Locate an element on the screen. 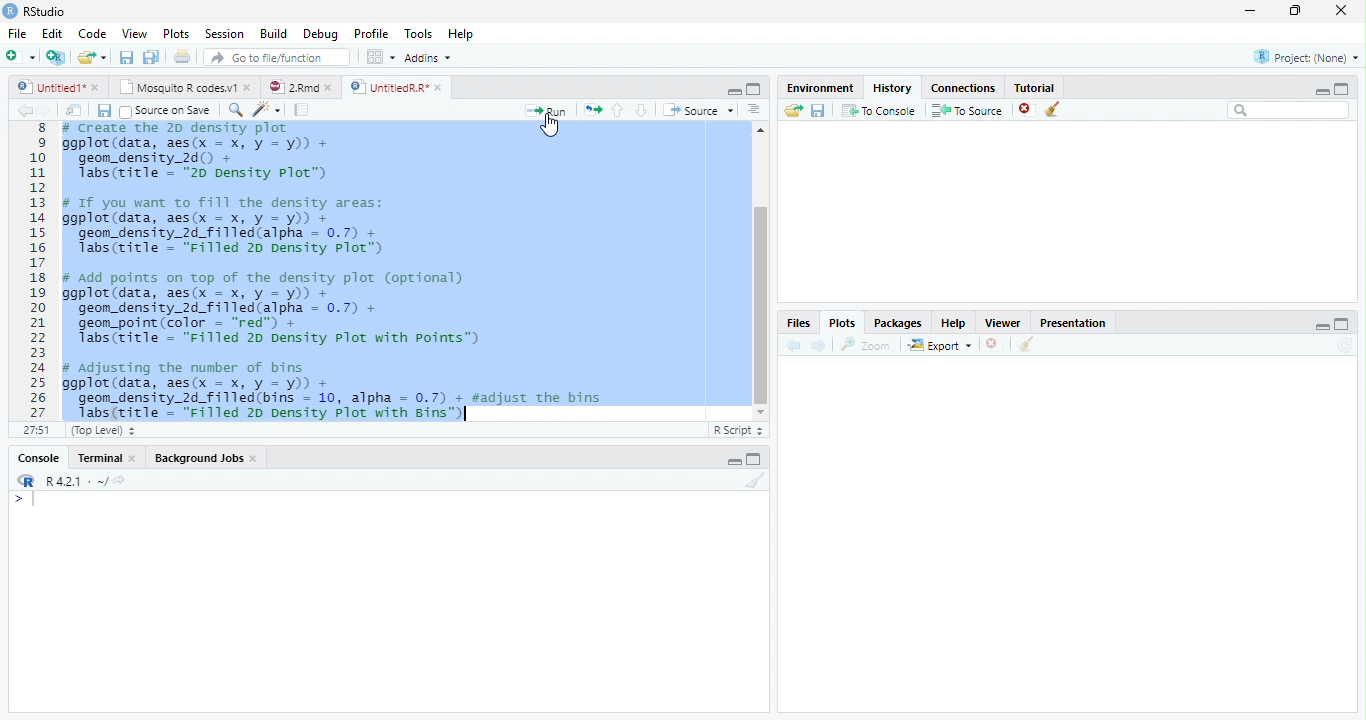 Image resolution: width=1366 pixels, height=720 pixels. close is located at coordinates (256, 460).